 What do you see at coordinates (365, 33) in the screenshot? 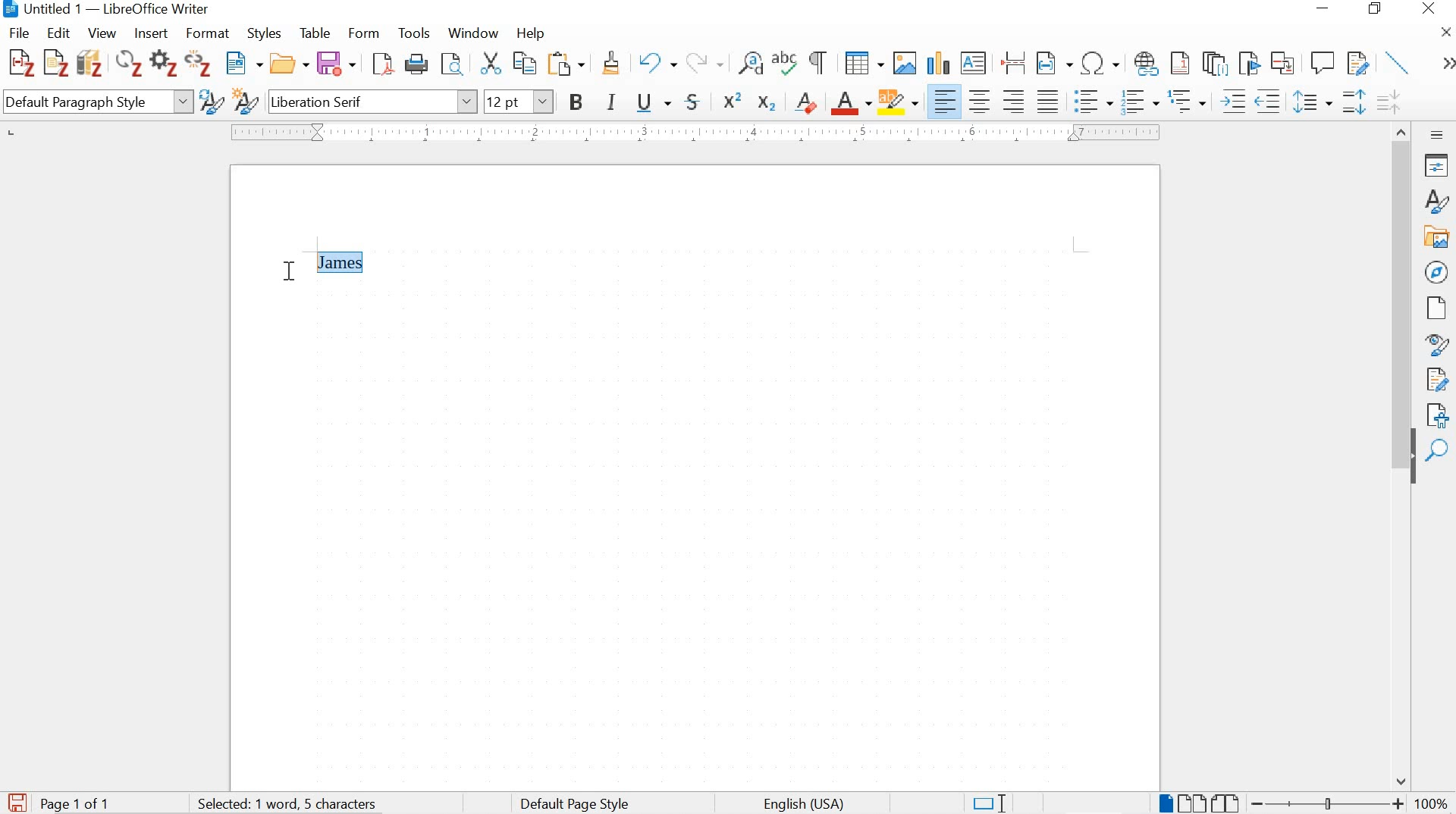
I see `form` at bounding box center [365, 33].